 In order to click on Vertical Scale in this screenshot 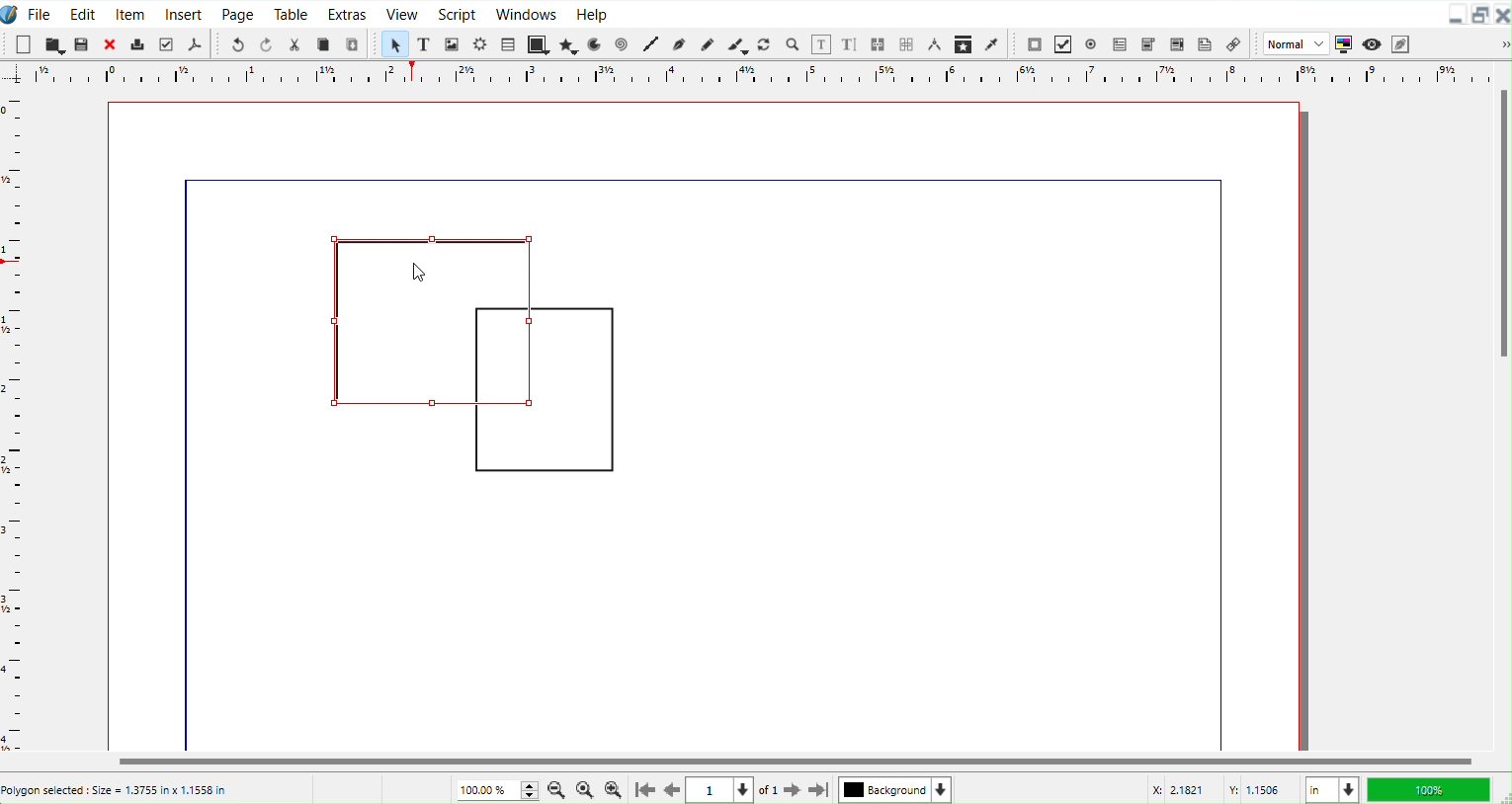, I will do `click(743, 76)`.